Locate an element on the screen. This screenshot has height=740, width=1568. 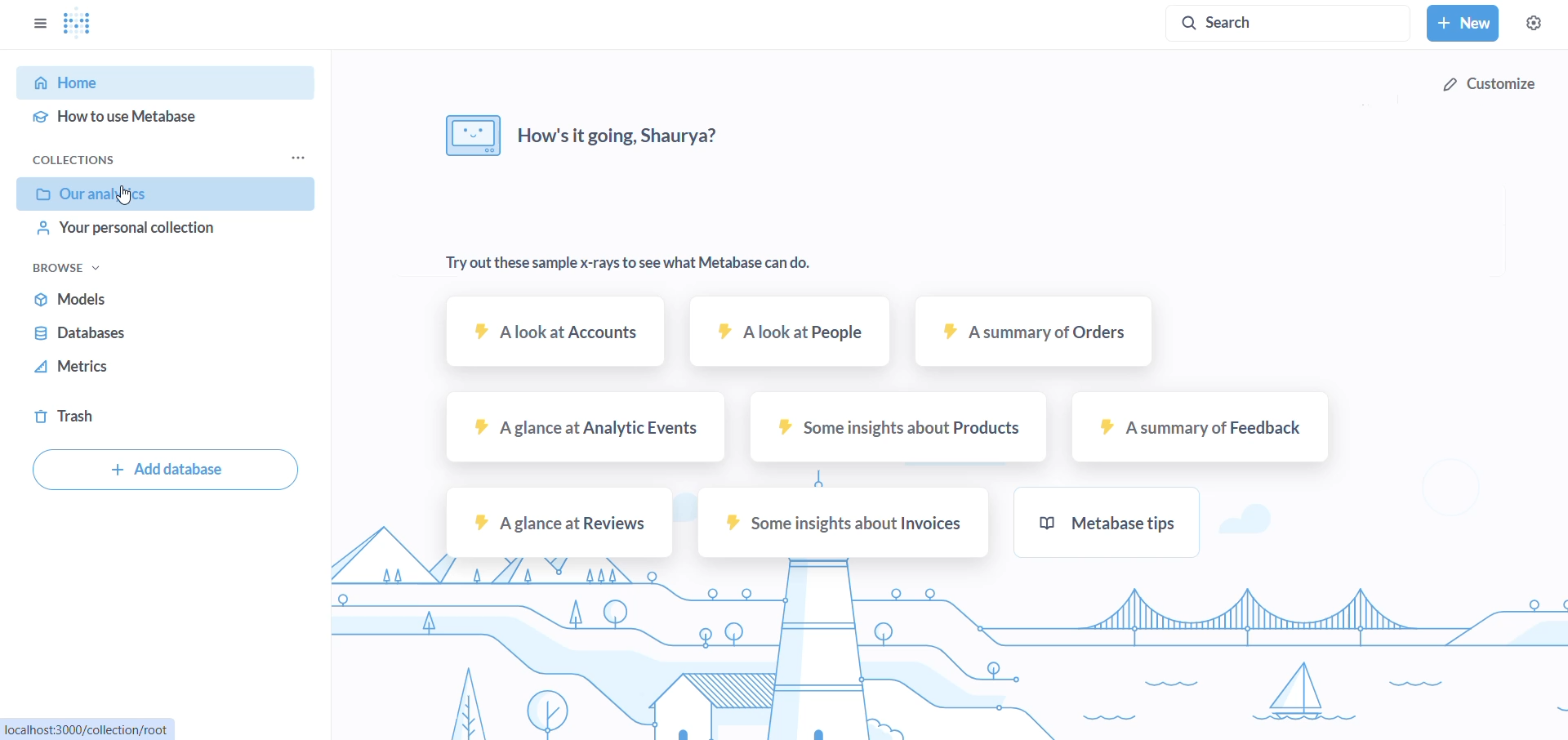
localhost:3000/collection/root is located at coordinates (84, 729).